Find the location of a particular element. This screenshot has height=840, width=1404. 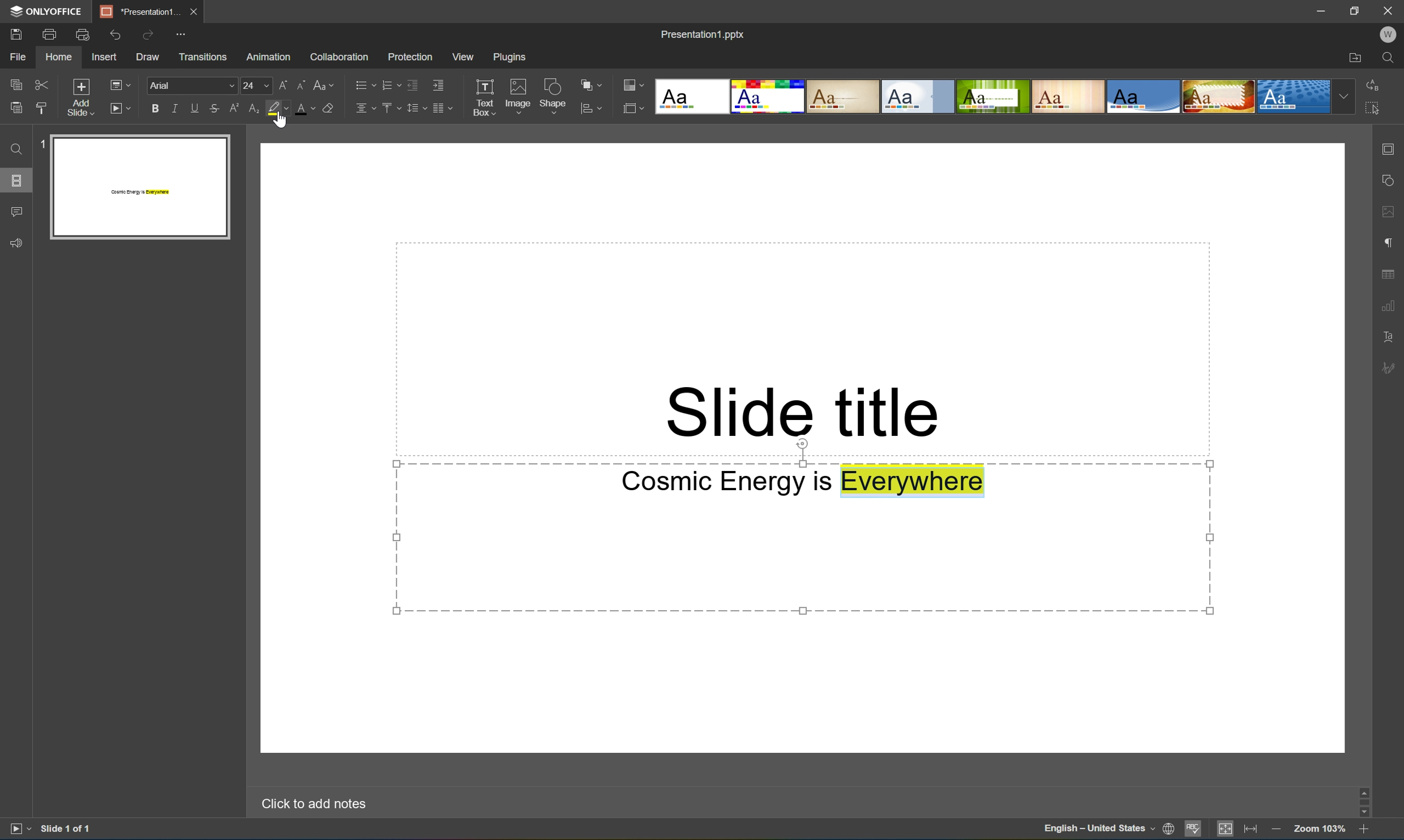

Close is located at coordinates (1389, 11).